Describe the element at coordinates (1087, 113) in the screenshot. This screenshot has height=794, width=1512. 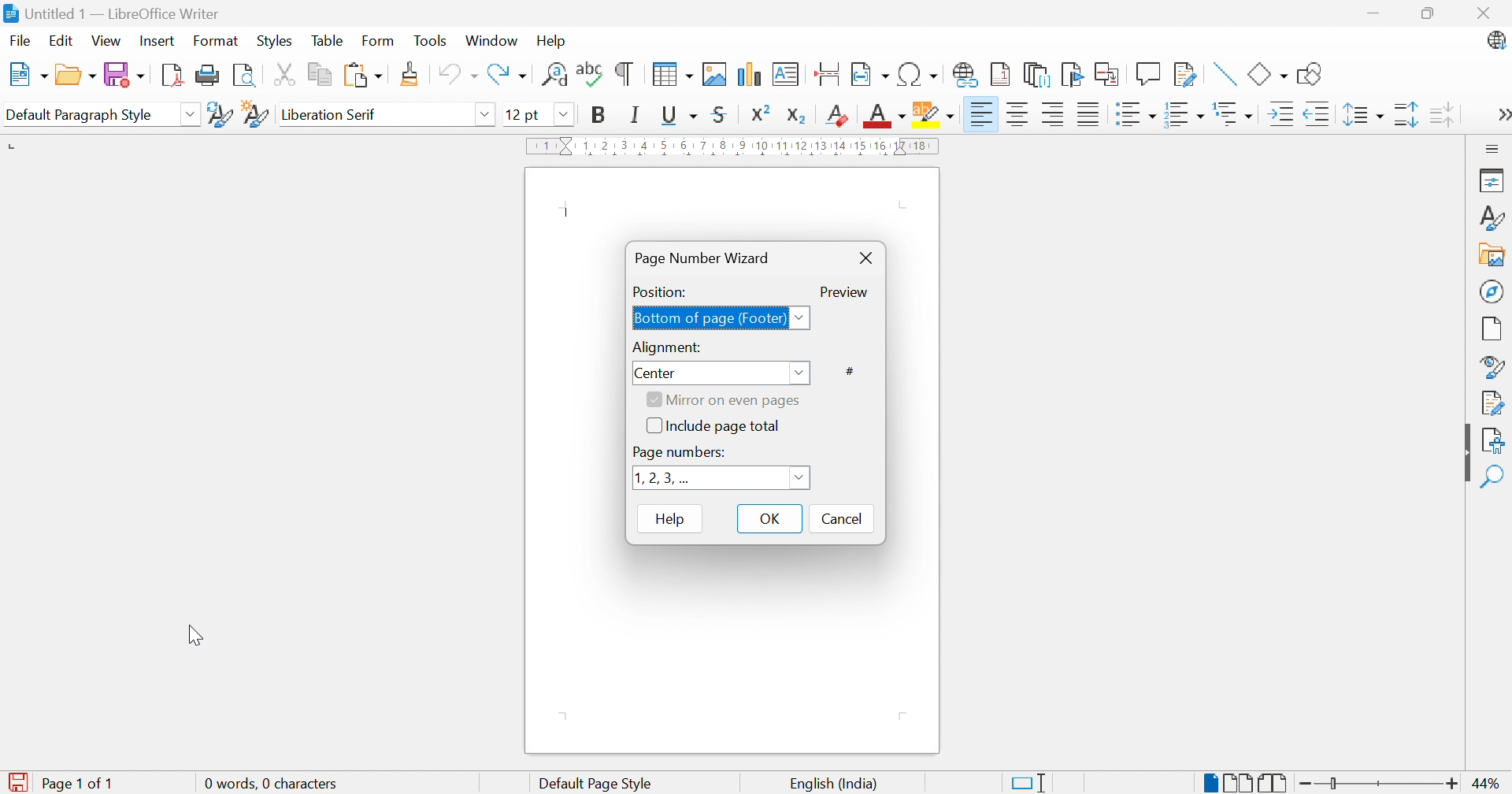
I see `Justified` at that location.